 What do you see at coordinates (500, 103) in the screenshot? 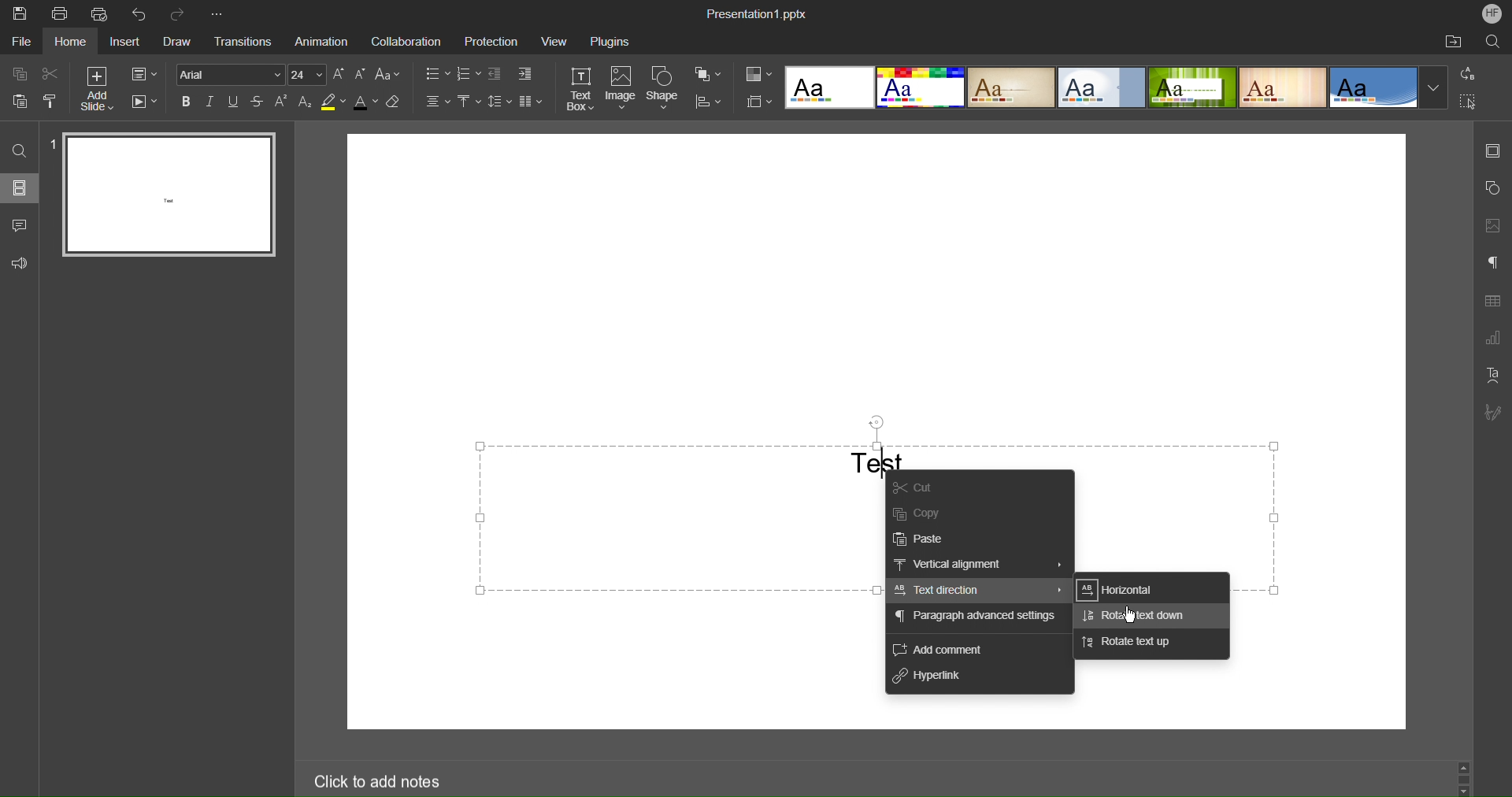
I see `Line Spacing` at bounding box center [500, 103].